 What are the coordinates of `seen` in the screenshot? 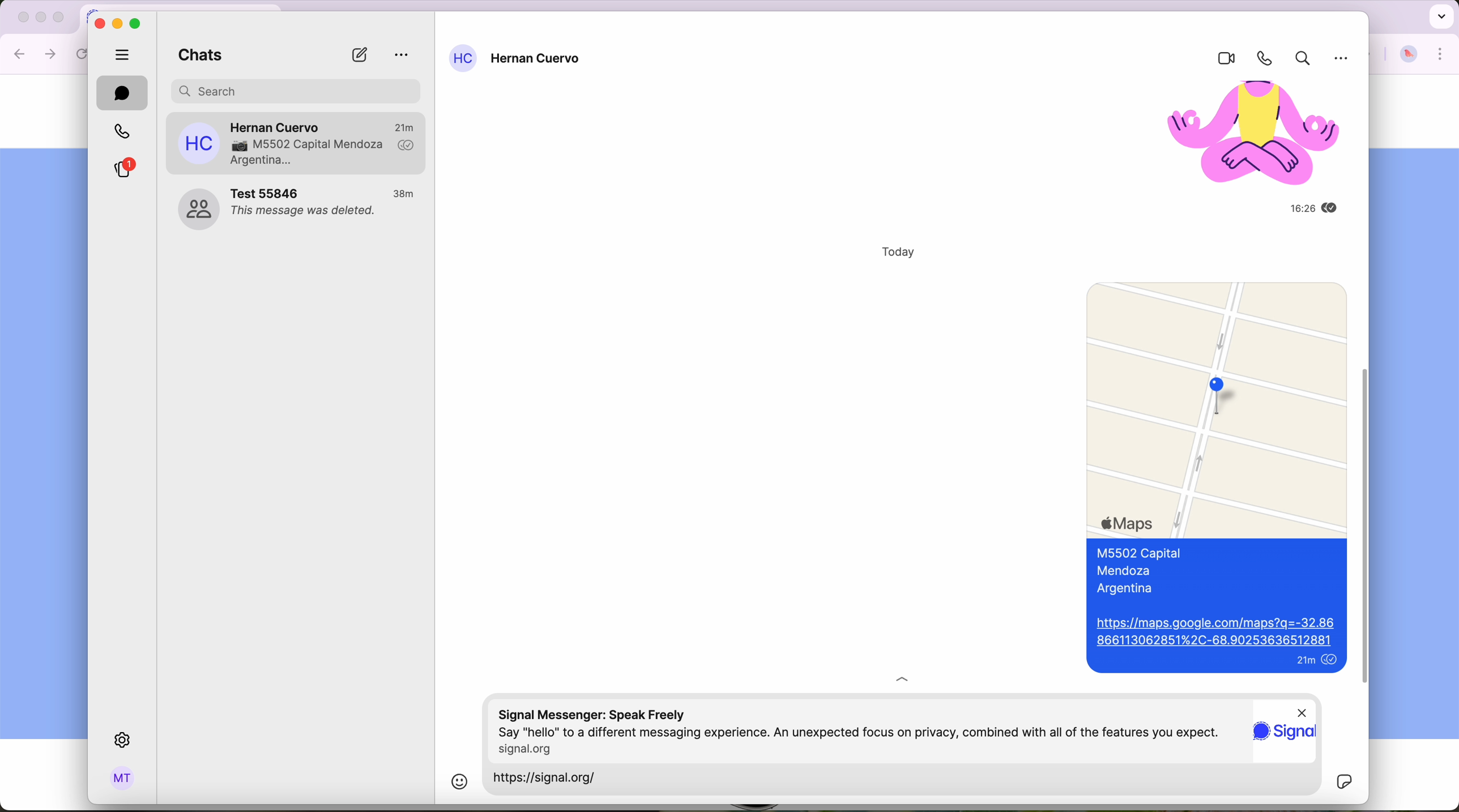 It's located at (1332, 210).